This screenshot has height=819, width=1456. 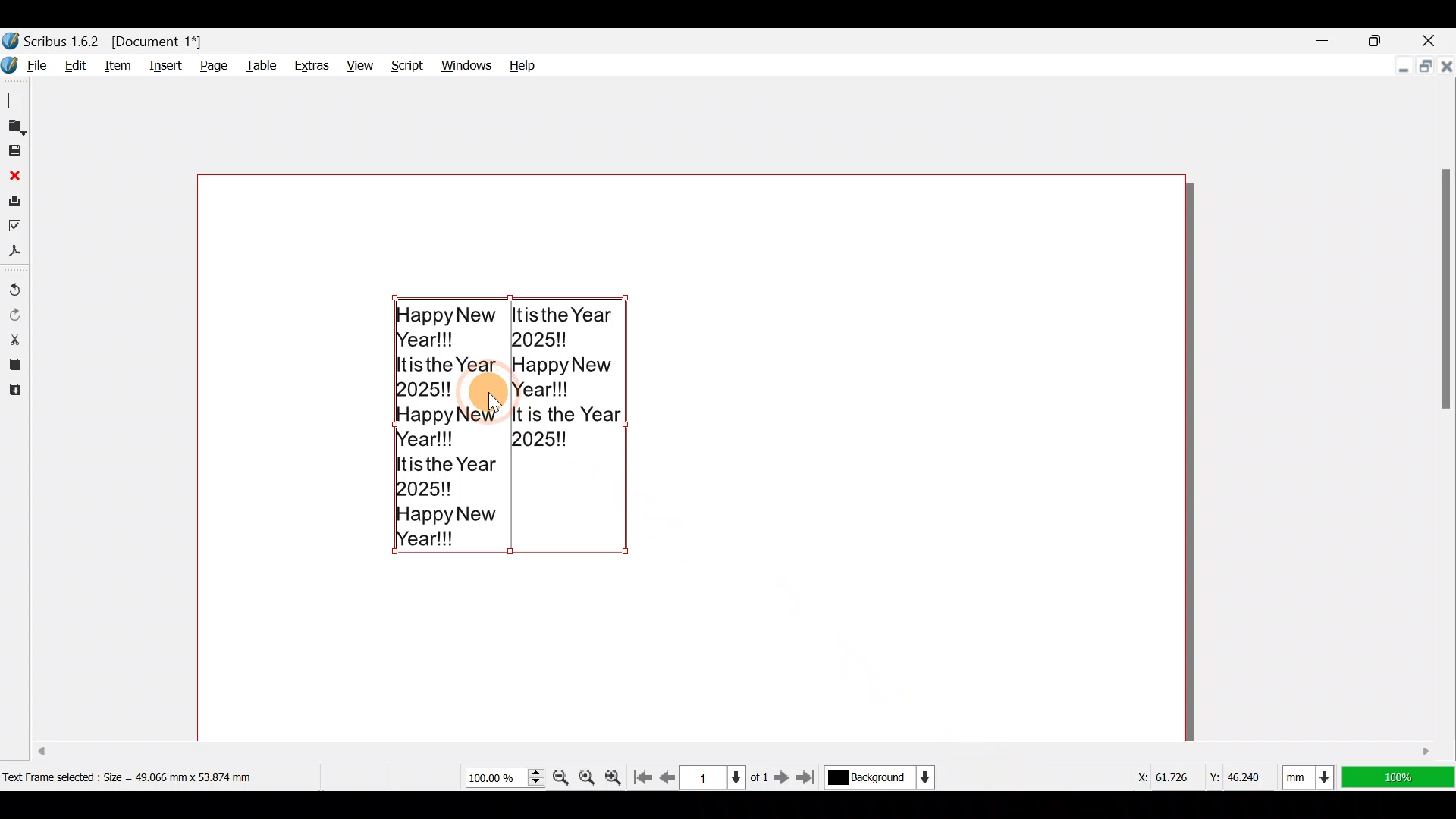 What do you see at coordinates (783, 777) in the screenshot?
I see `Go to the next page` at bounding box center [783, 777].